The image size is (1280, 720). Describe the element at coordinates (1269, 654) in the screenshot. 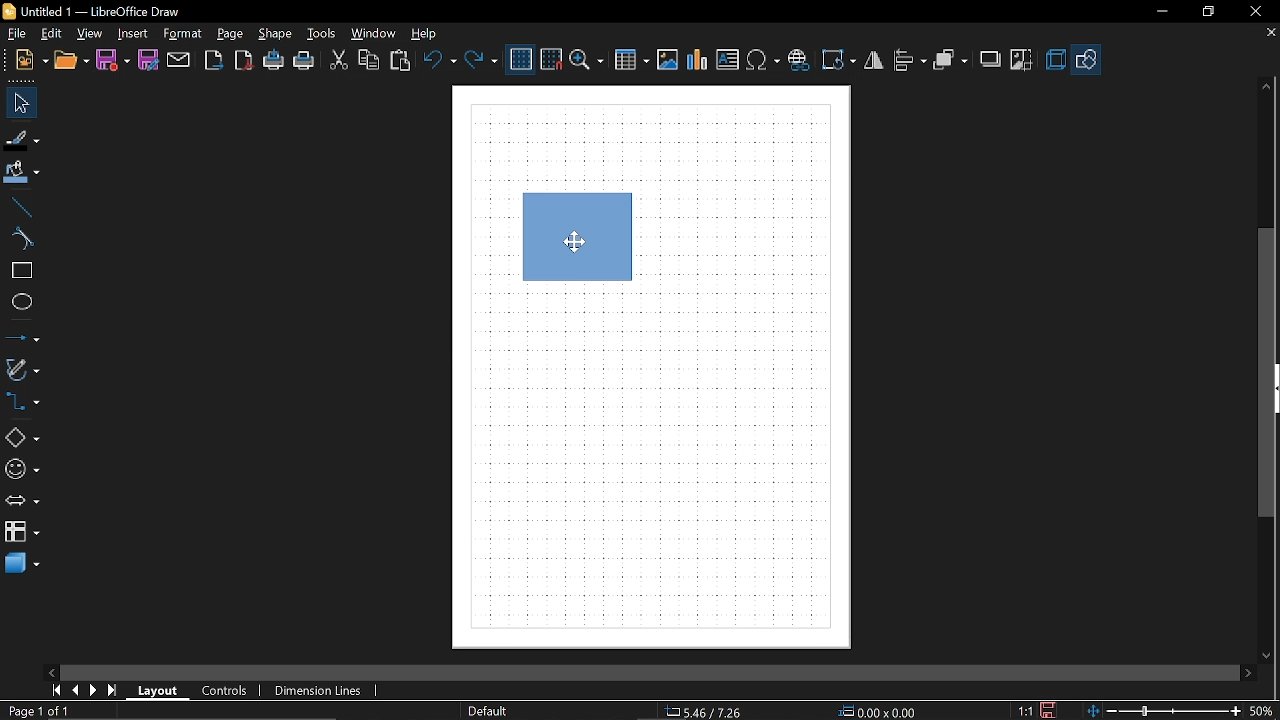

I see `Move down` at that location.